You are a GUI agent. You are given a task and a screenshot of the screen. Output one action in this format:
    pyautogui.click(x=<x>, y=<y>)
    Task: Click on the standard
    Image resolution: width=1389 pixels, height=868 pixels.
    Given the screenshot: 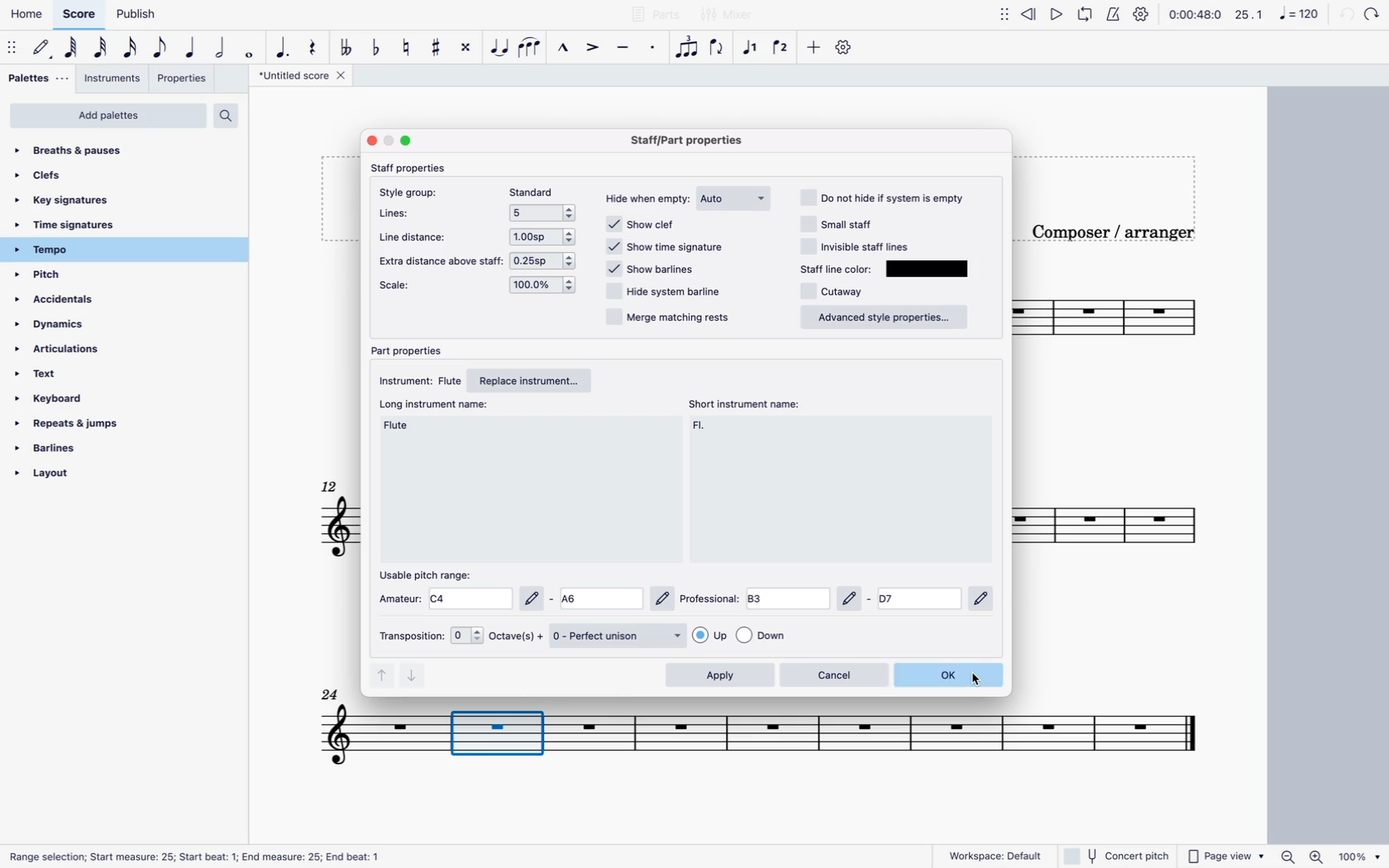 What is the action you would take?
    pyautogui.click(x=537, y=191)
    